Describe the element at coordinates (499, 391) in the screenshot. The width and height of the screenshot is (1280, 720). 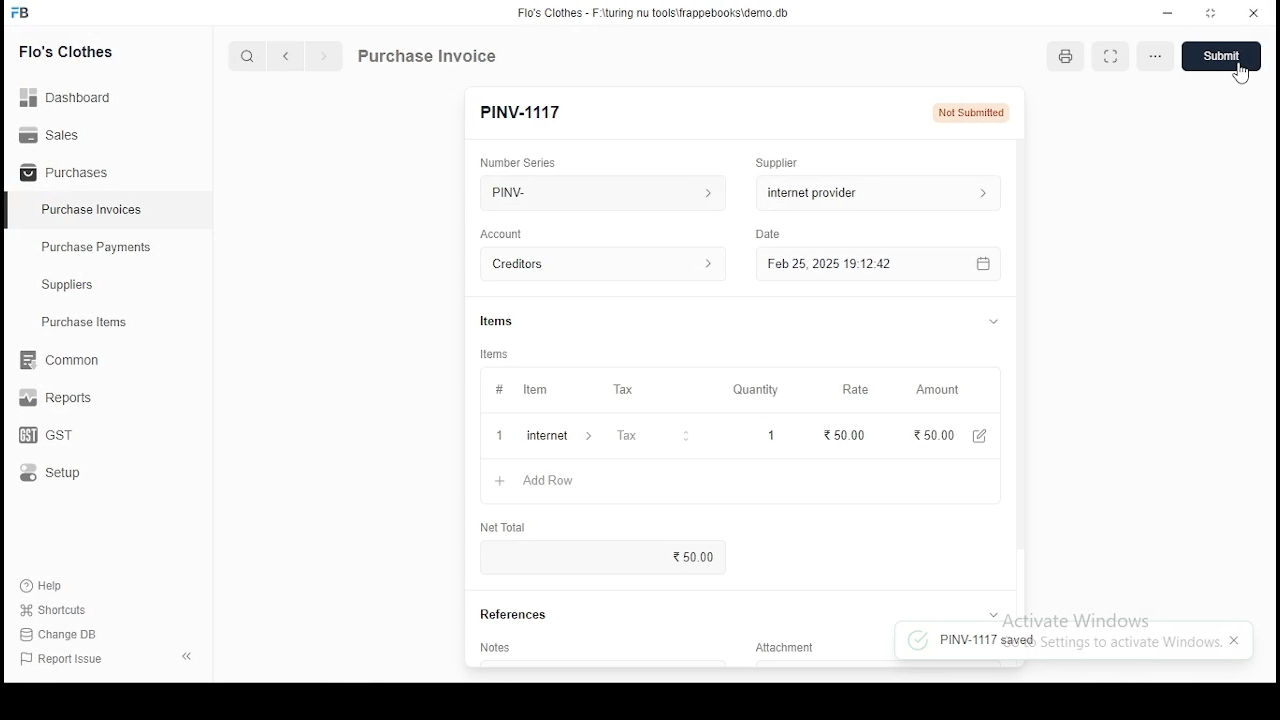
I see `#` at that location.